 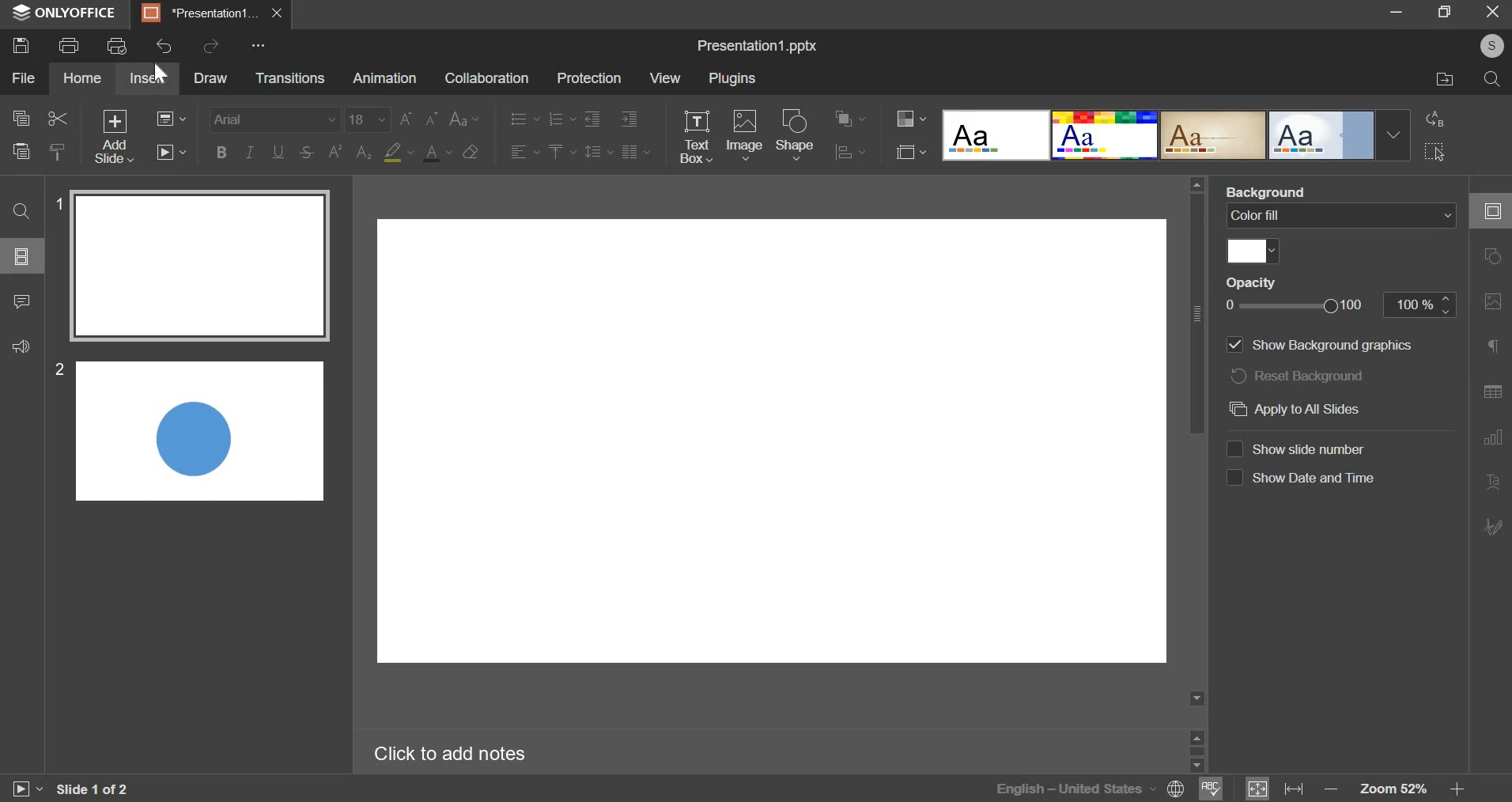 I want to click on text box, so click(x=697, y=136).